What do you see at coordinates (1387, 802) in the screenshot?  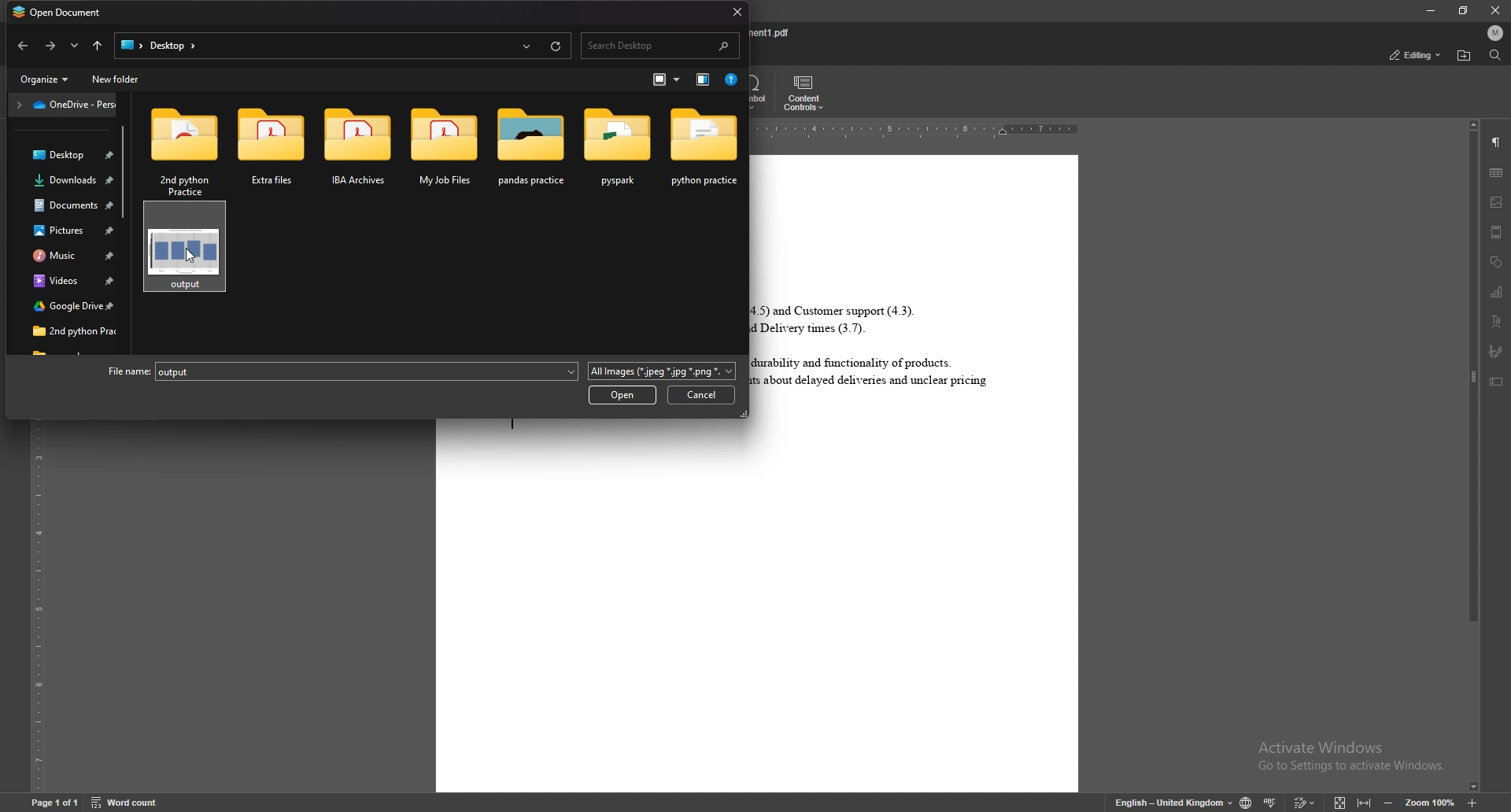 I see `decrease zoom` at bounding box center [1387, 802].